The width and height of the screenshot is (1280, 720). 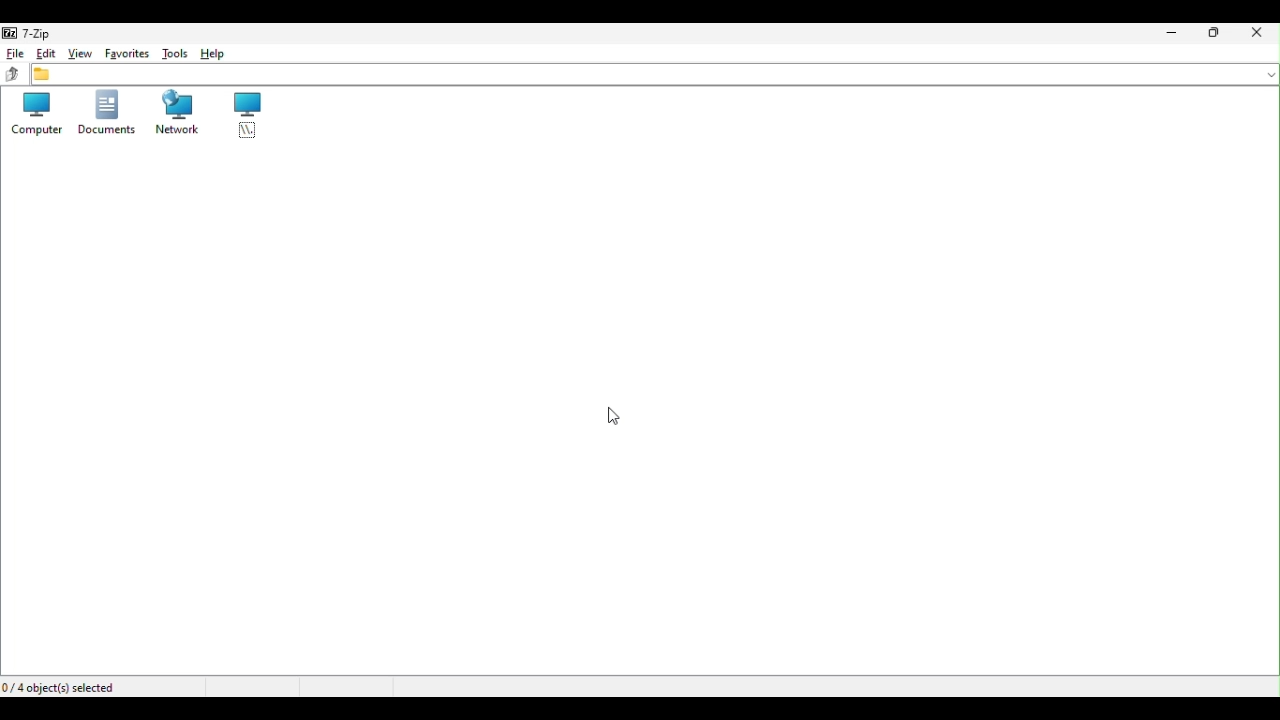 What do you see at coordinates (125, 54) in the screenshot?
I see `Favourite` at bounding box center [125, 54].